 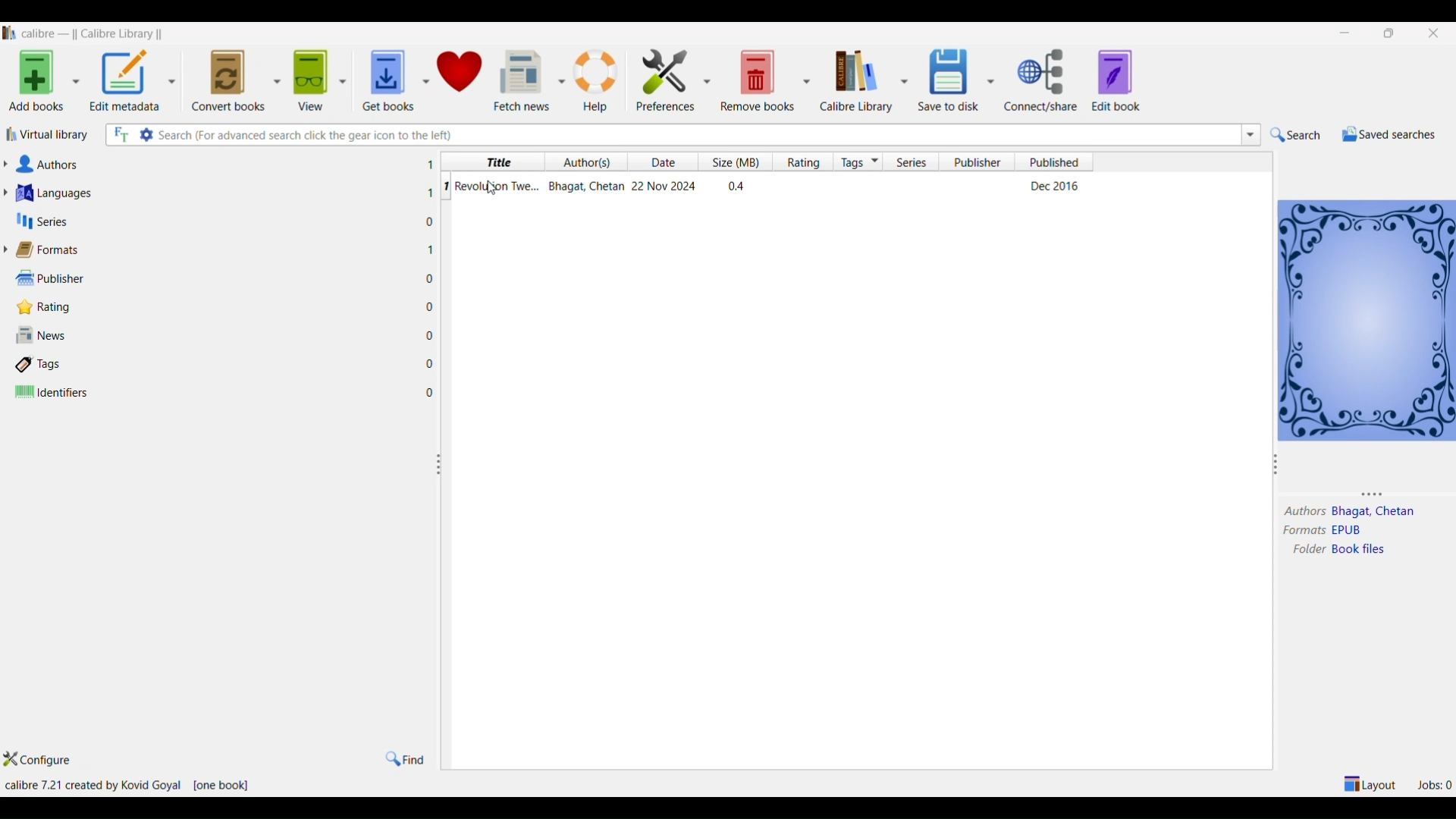 I want to click on formats, so click(x=1300, y=531).